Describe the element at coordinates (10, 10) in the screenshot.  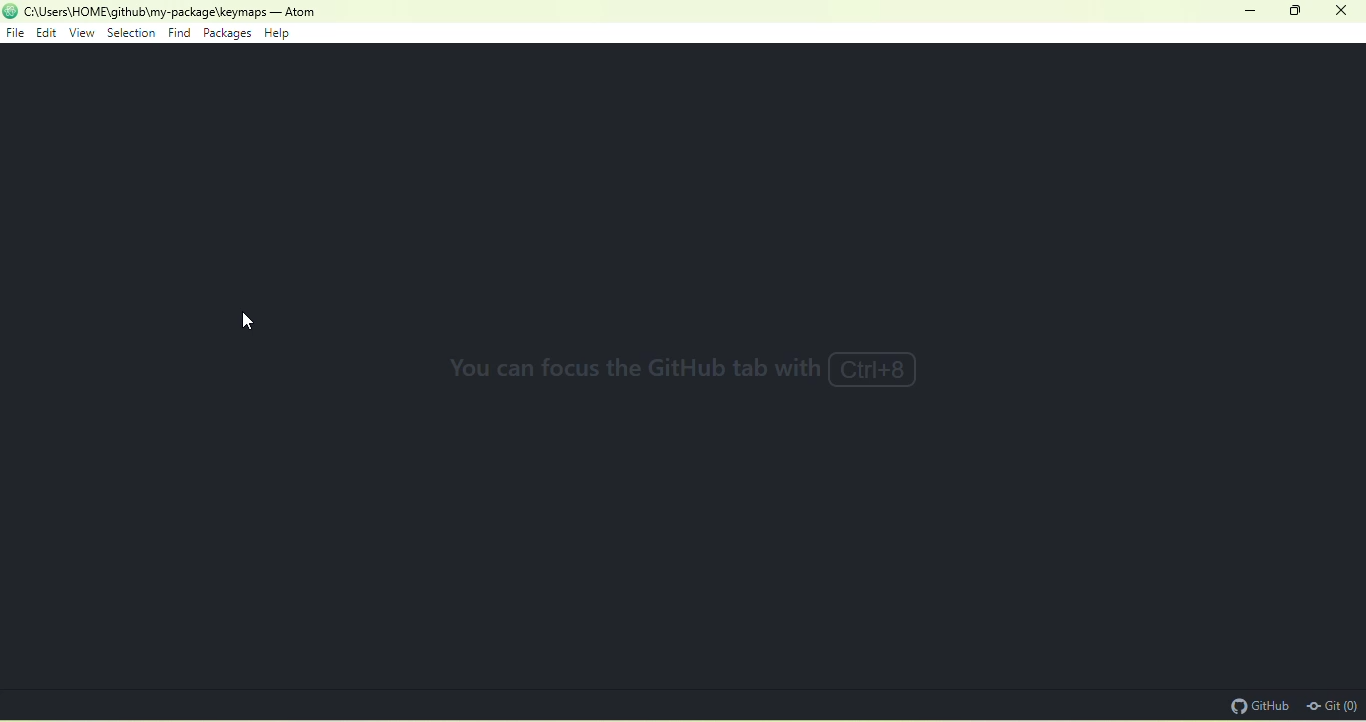
I see `icon` at that location.